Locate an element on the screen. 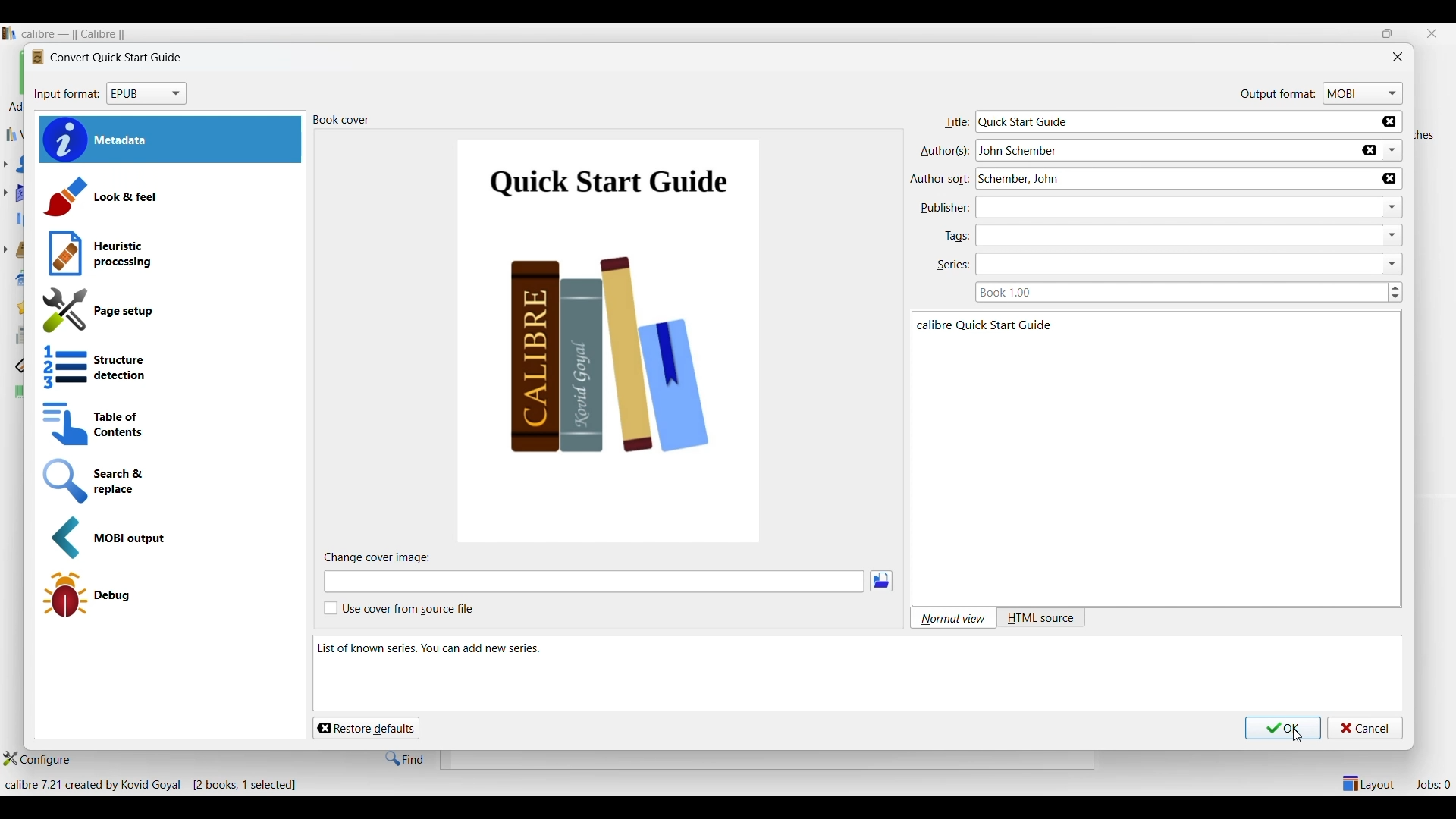 Image resolution: width=1456 pixels, height=819 pixels. Configure is located at coordinates (36, 759).